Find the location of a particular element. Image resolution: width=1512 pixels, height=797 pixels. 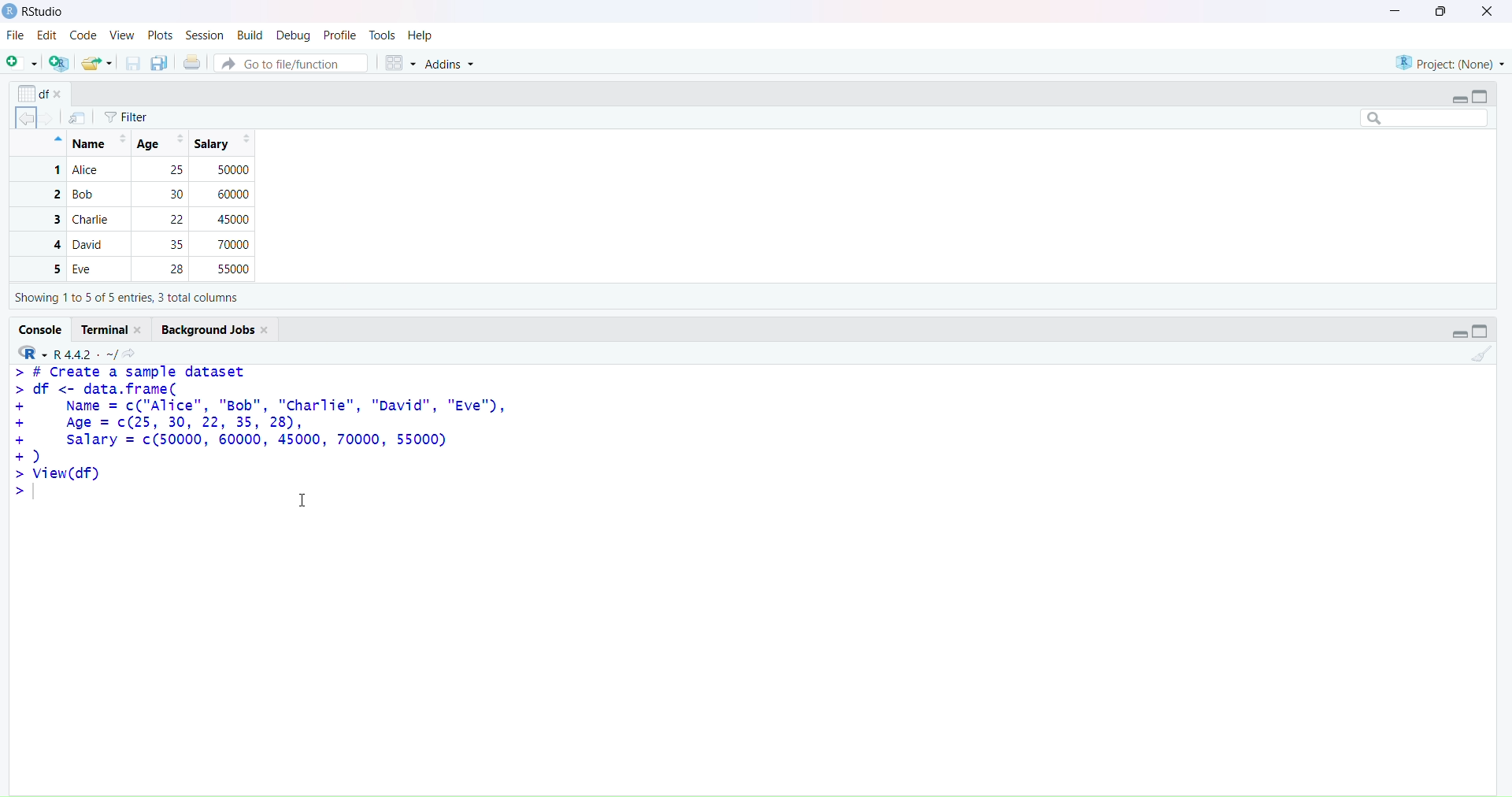

debug is located at coordinates (292, 35).